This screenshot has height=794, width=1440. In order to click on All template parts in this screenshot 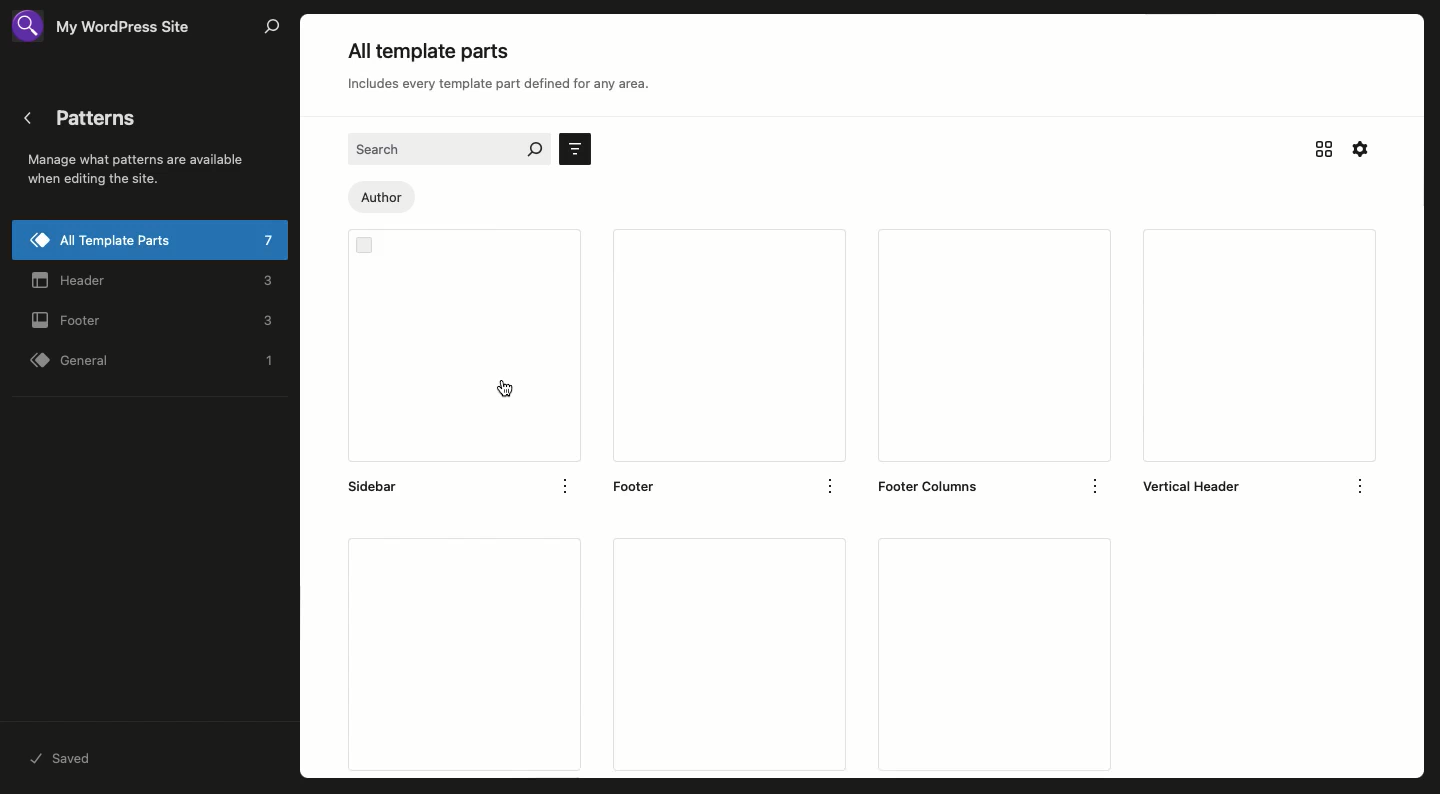, I will do `click(152, 240)`.